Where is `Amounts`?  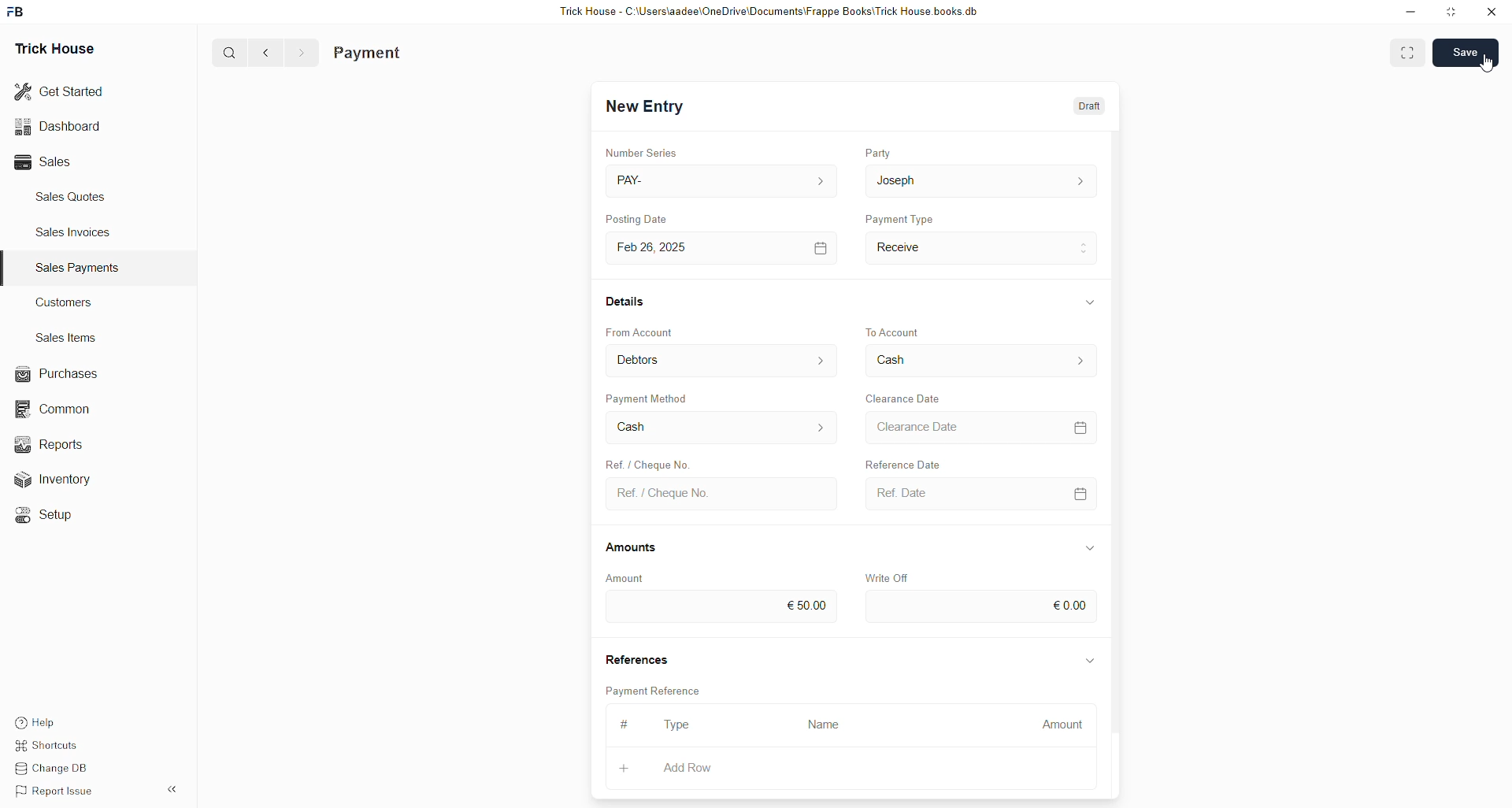 Amounts is located at coordinates (632, 548).